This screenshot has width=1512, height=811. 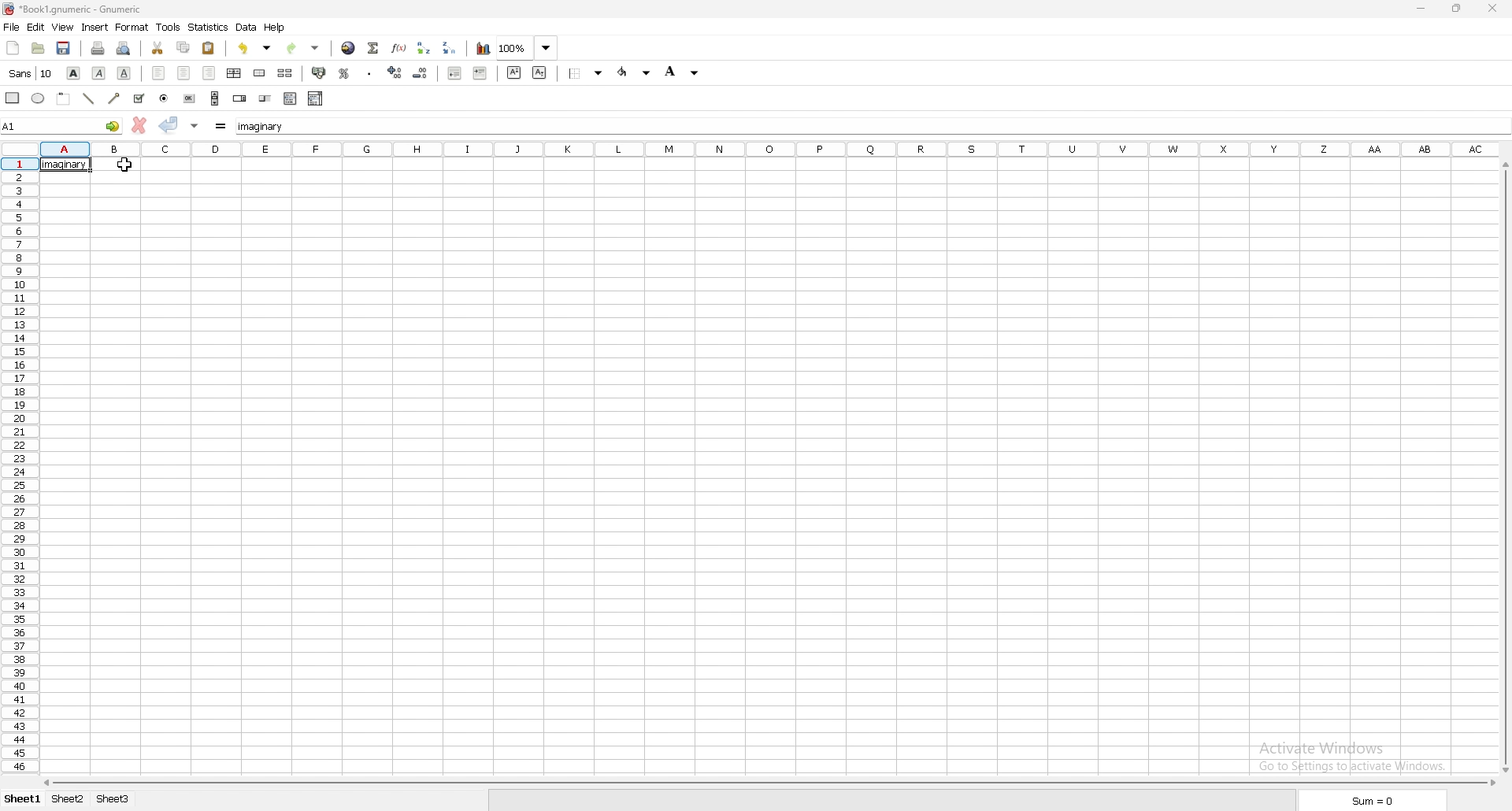 I want to click on zoom, so click(x=528, y=47).